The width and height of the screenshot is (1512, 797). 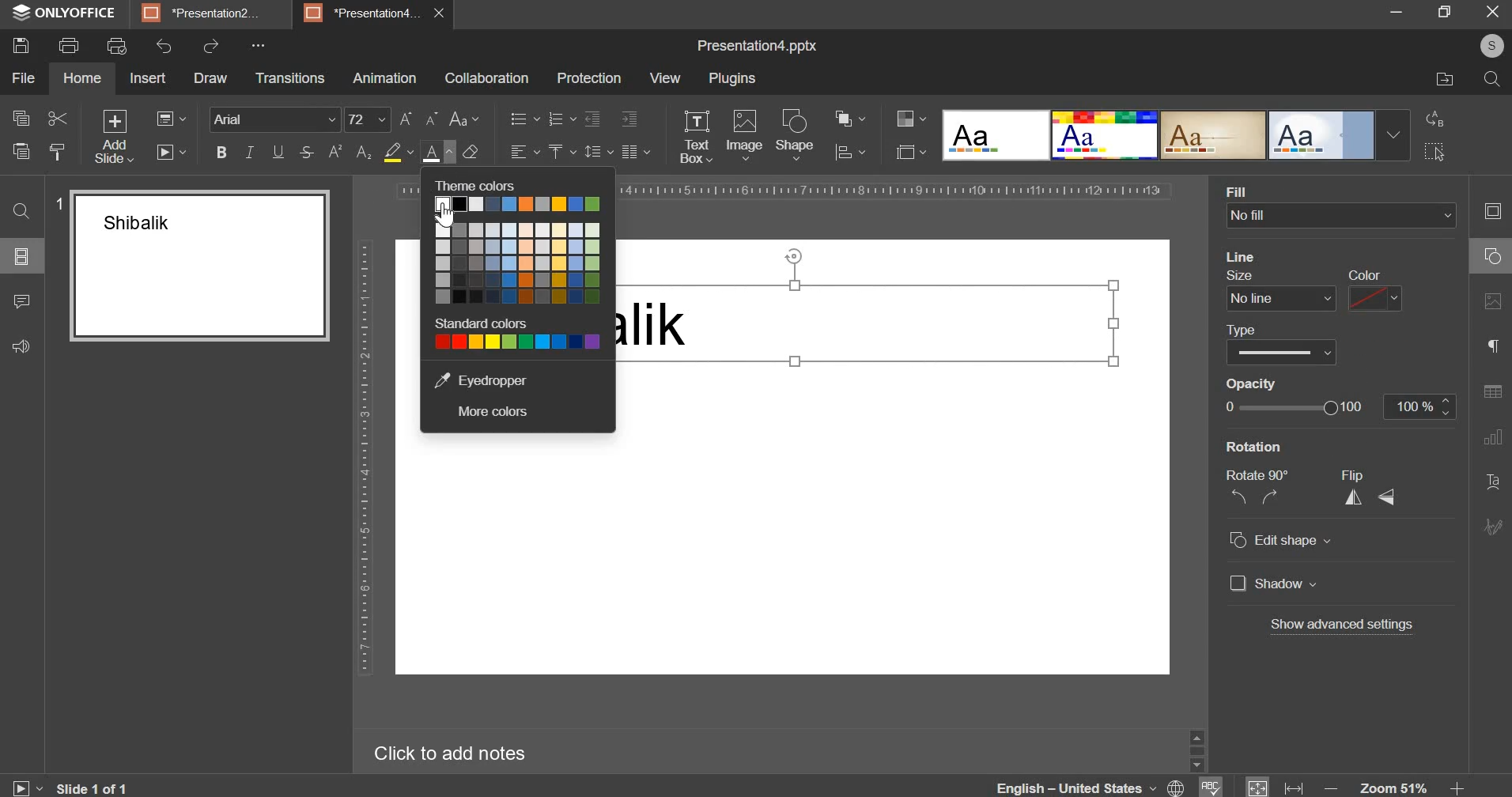 I want to click on draw, so click(x=210, y=77).